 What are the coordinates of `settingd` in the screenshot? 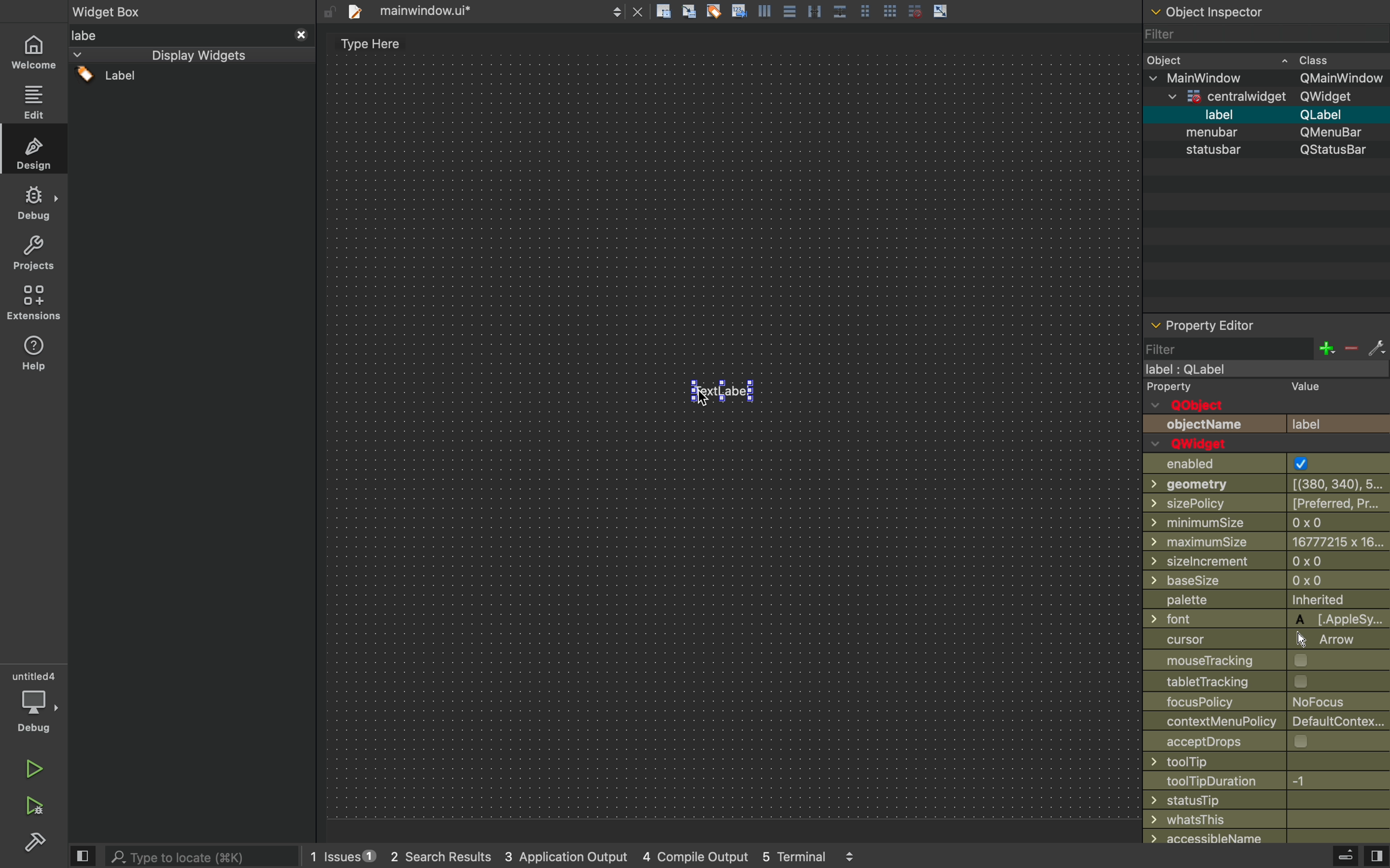 It's located at (30, 843).